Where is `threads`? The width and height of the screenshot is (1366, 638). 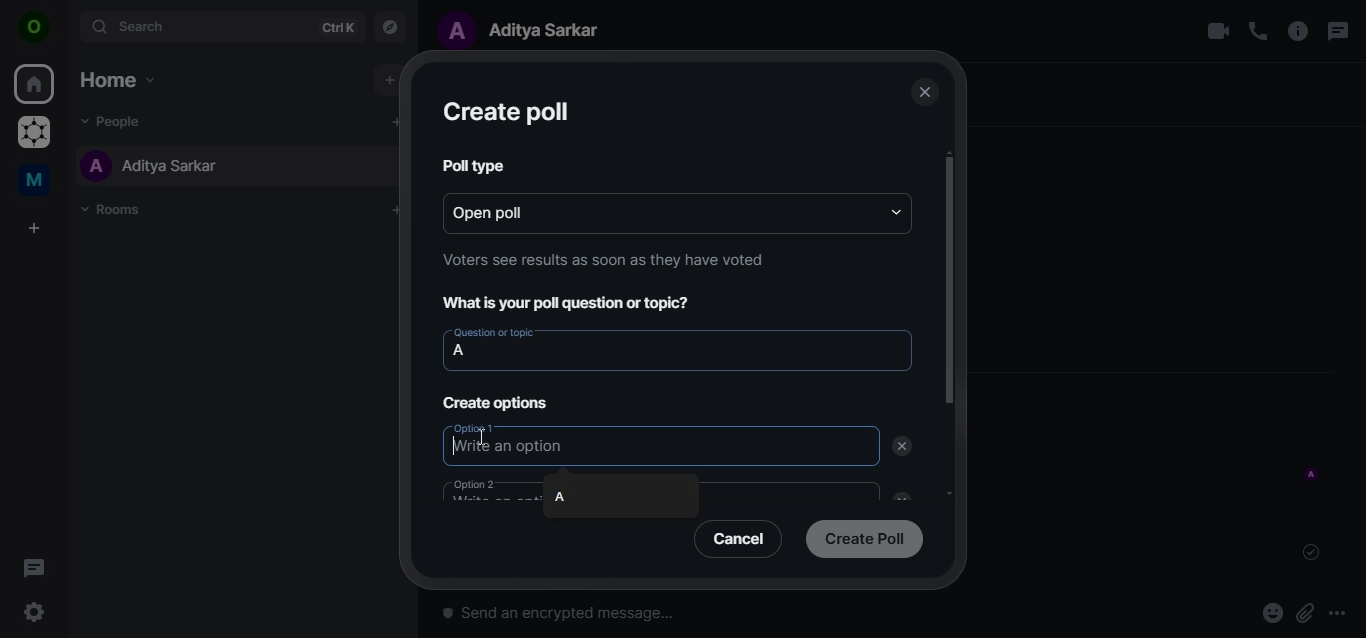 threads is located at coordinates (34, 567).